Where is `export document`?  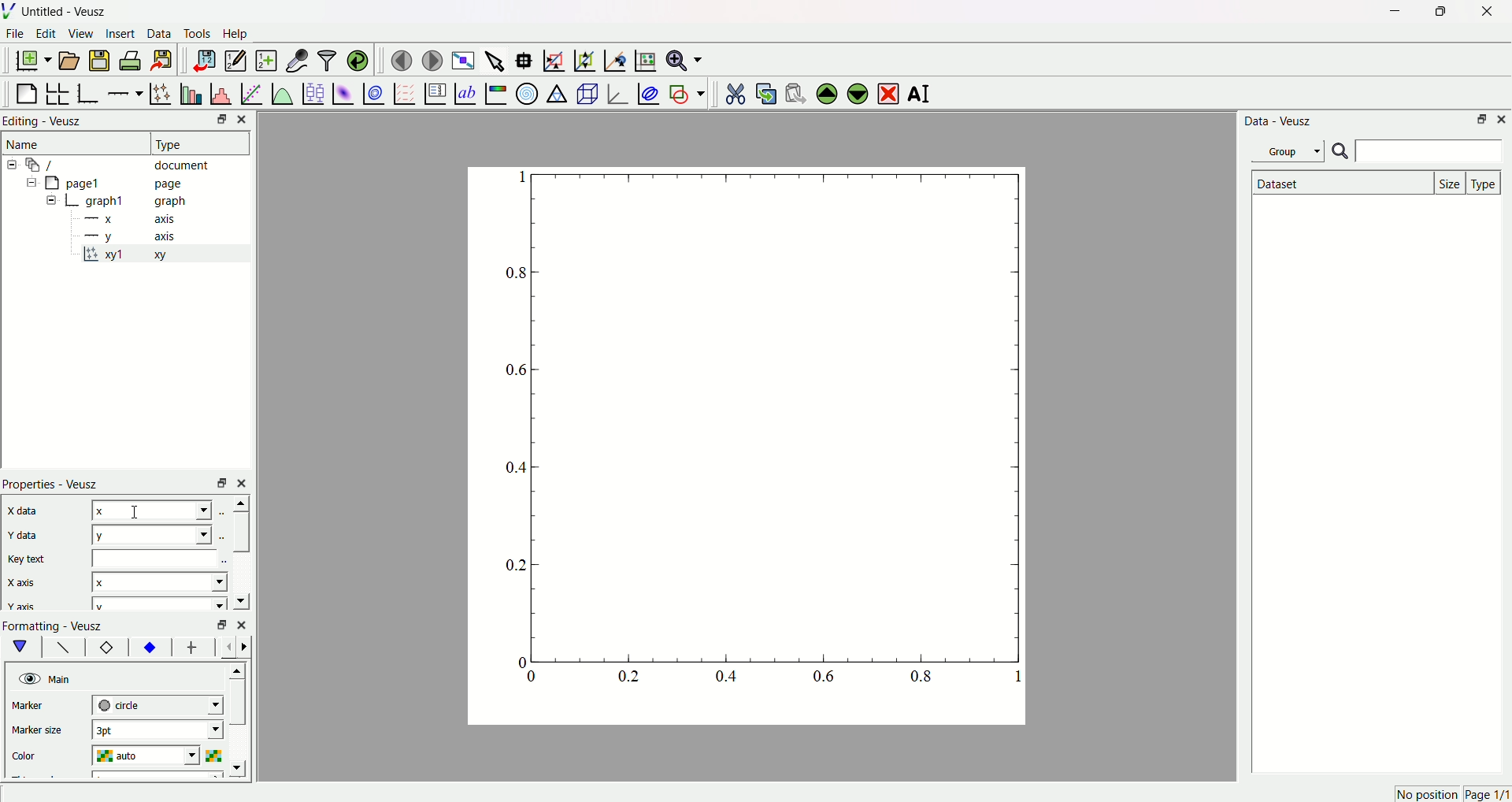
export document is located at coordinates (169, 60).